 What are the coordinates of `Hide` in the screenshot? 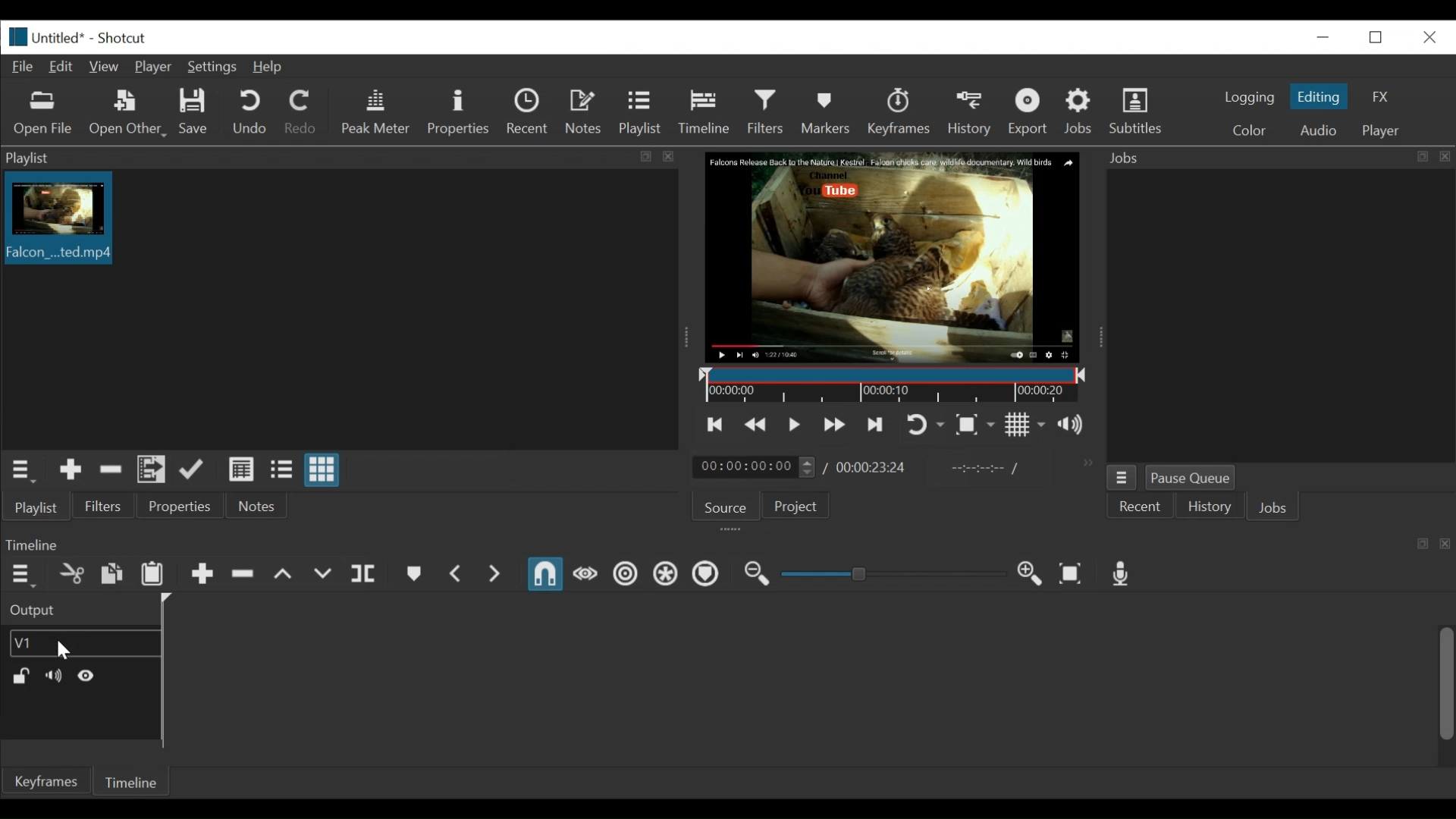 It's located at (88, 675).